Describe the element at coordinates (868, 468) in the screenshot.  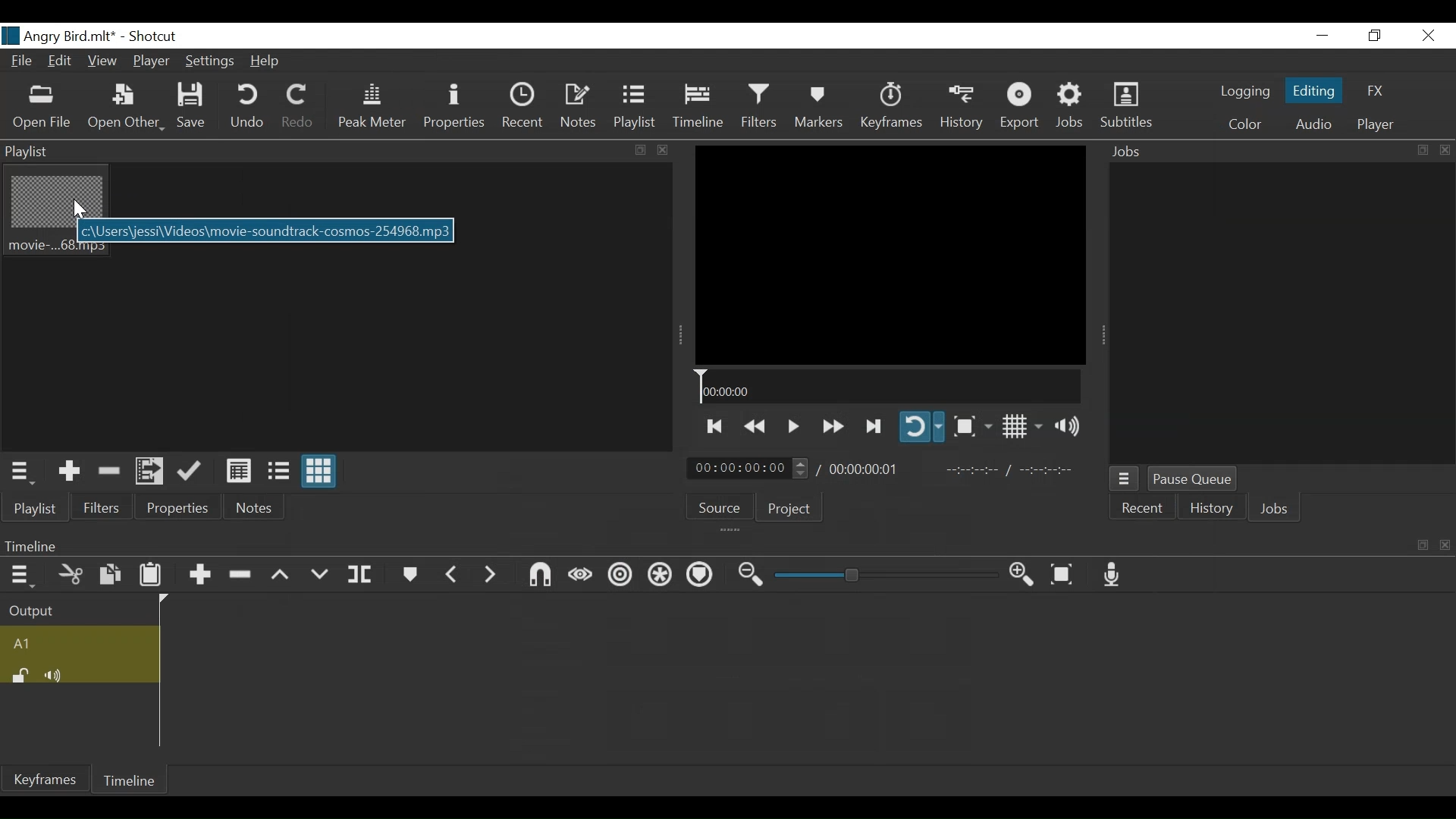
I see `Total Duration` at that location.